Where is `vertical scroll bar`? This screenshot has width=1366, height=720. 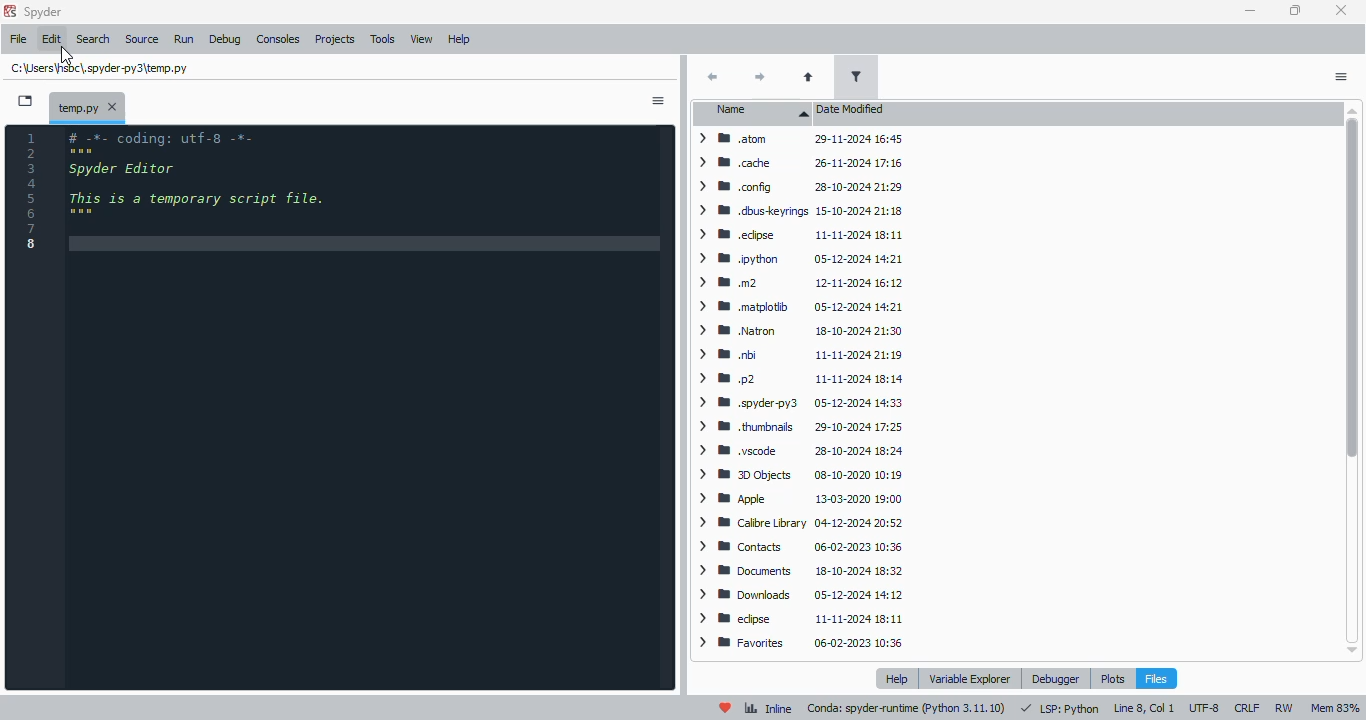 vertical scroll bar is located at coordinates (1349, 380).